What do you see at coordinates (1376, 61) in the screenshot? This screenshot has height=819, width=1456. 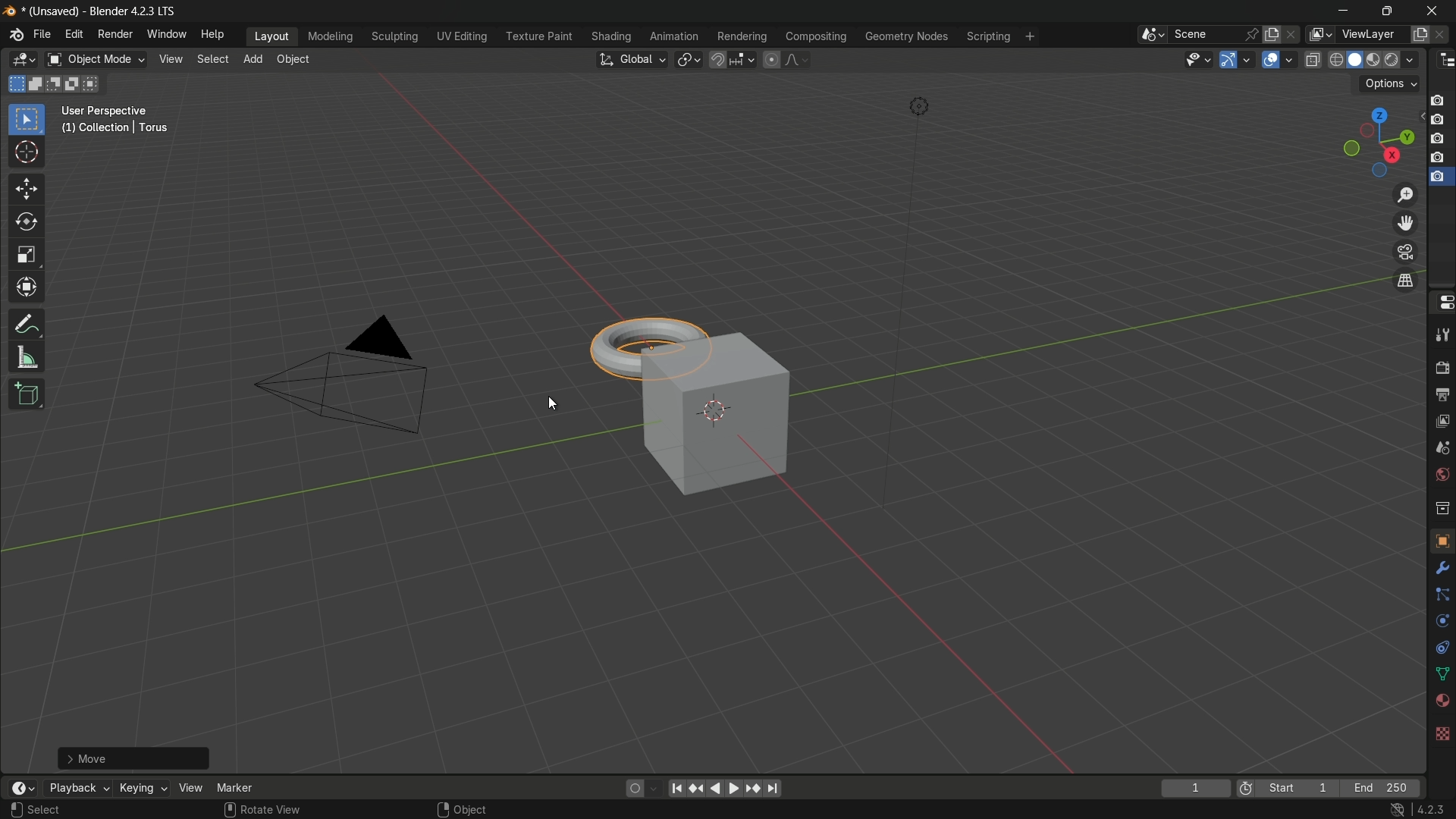 I see `render` at bounding box center [1376, 61].